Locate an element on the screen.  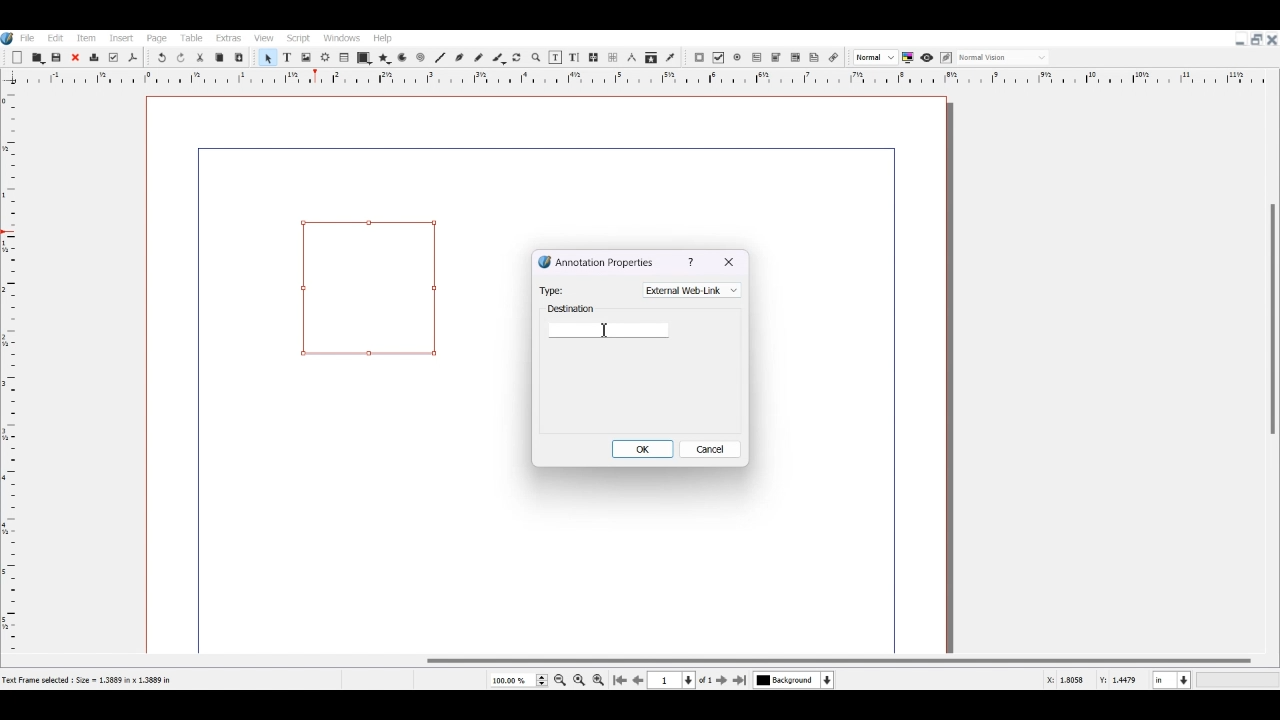
Shape is located at coordinates (364, 58).